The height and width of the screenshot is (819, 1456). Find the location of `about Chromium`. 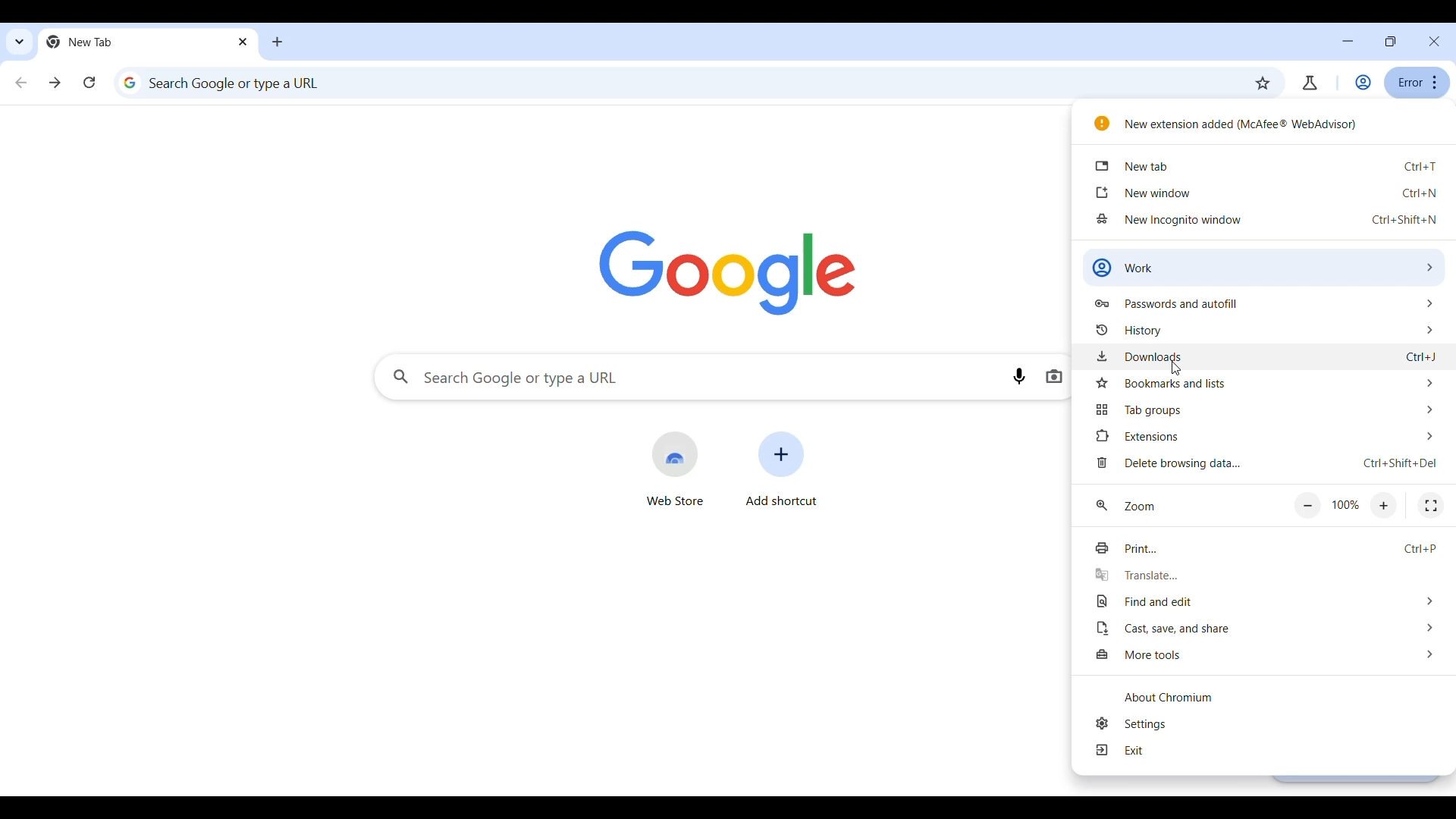

about Chromium is located at coordinates (1266, 696).